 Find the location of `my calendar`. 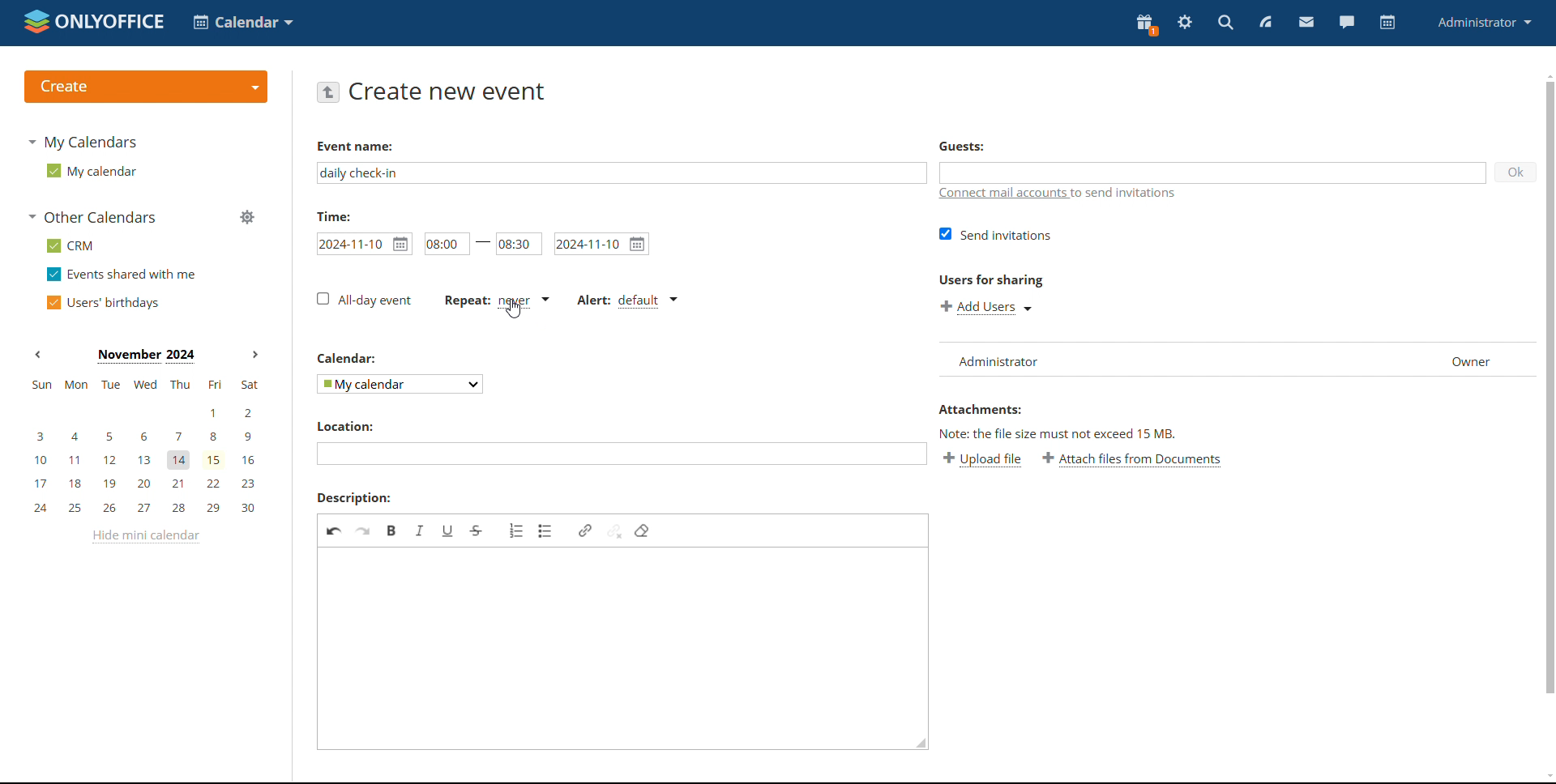

my calendar is located at coordinates (89, 171).